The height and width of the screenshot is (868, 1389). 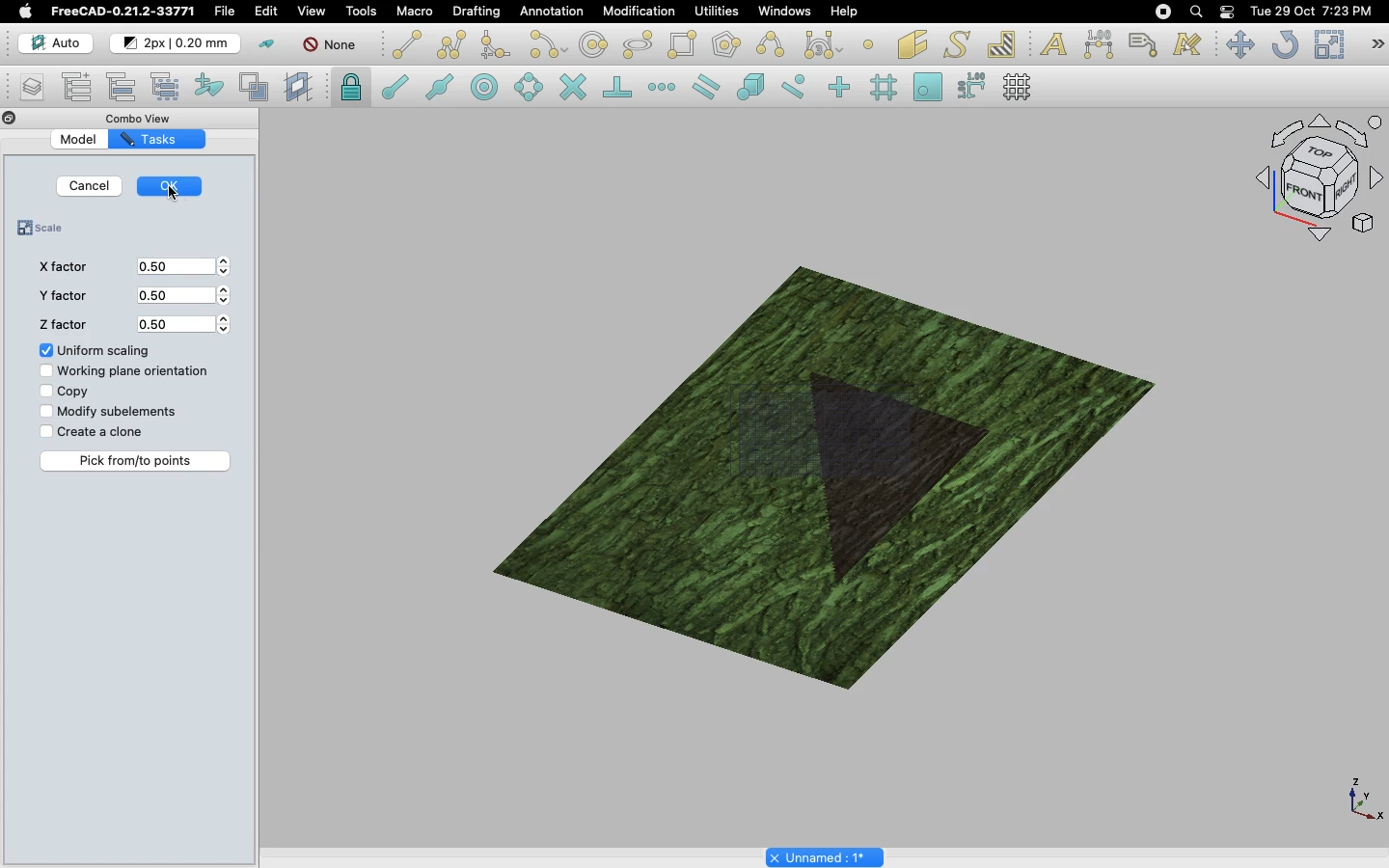 What do you see at coordinates (968, 86) in the screenshot?
I see `Snap dimensions` at bounding box center [968, 86].